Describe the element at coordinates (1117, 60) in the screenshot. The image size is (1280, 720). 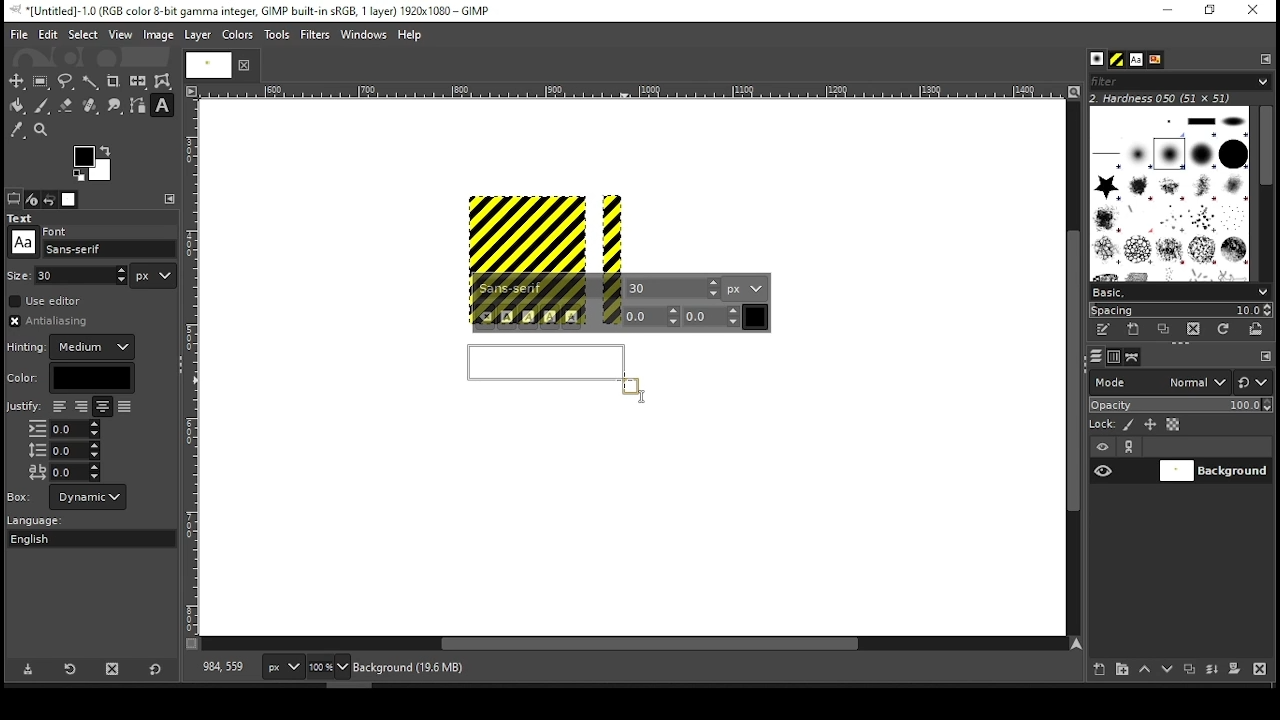
I see `pattern` at that location.